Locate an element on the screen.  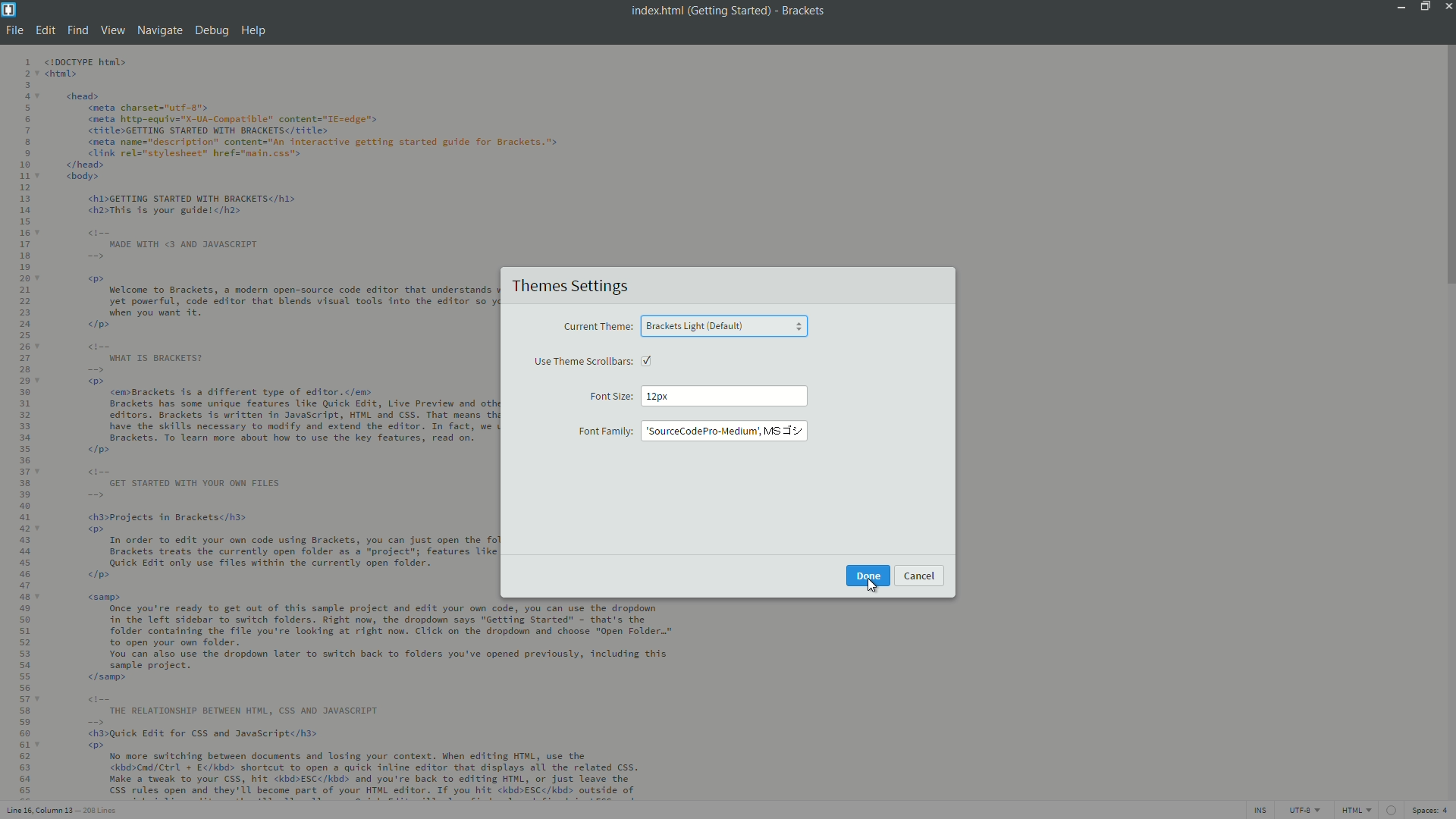
current theme is located at coordinates (597, 328).